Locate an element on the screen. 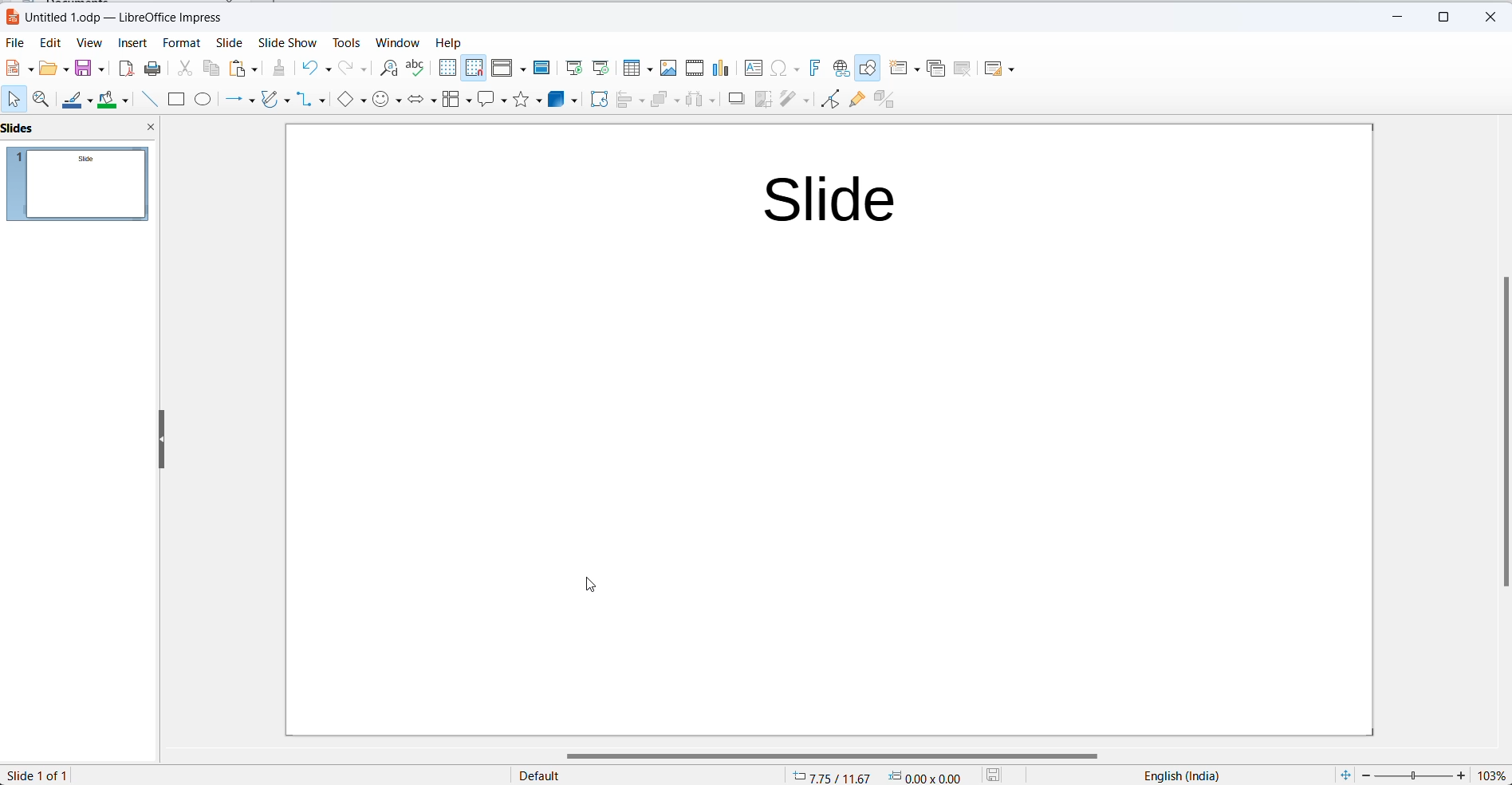 Image resolution: width=1512 pixels, height=785 pixels. Redo is located at coordinates (354, 69).